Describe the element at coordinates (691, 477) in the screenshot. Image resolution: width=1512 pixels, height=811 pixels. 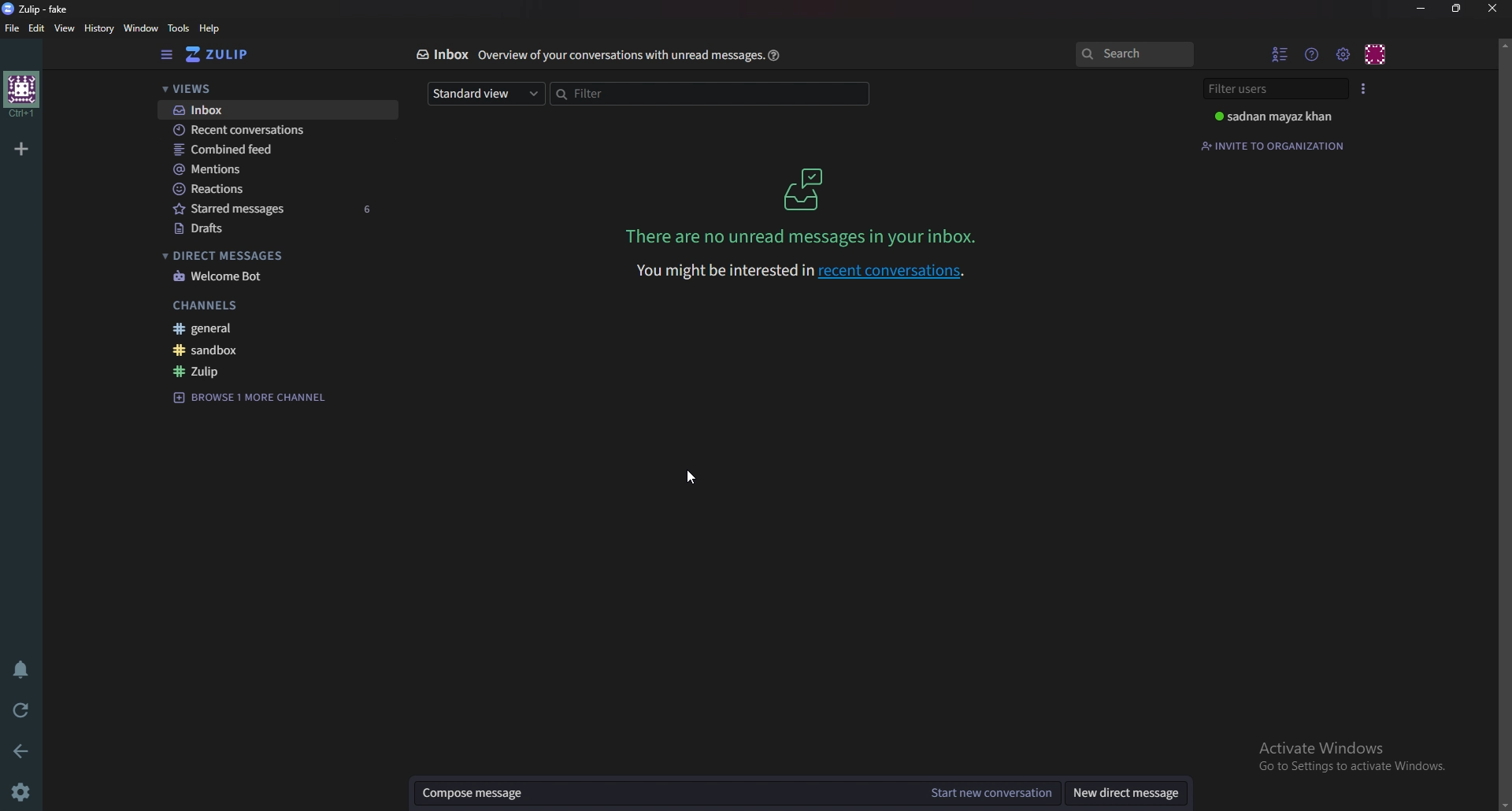
I see `Cursor` at that location.